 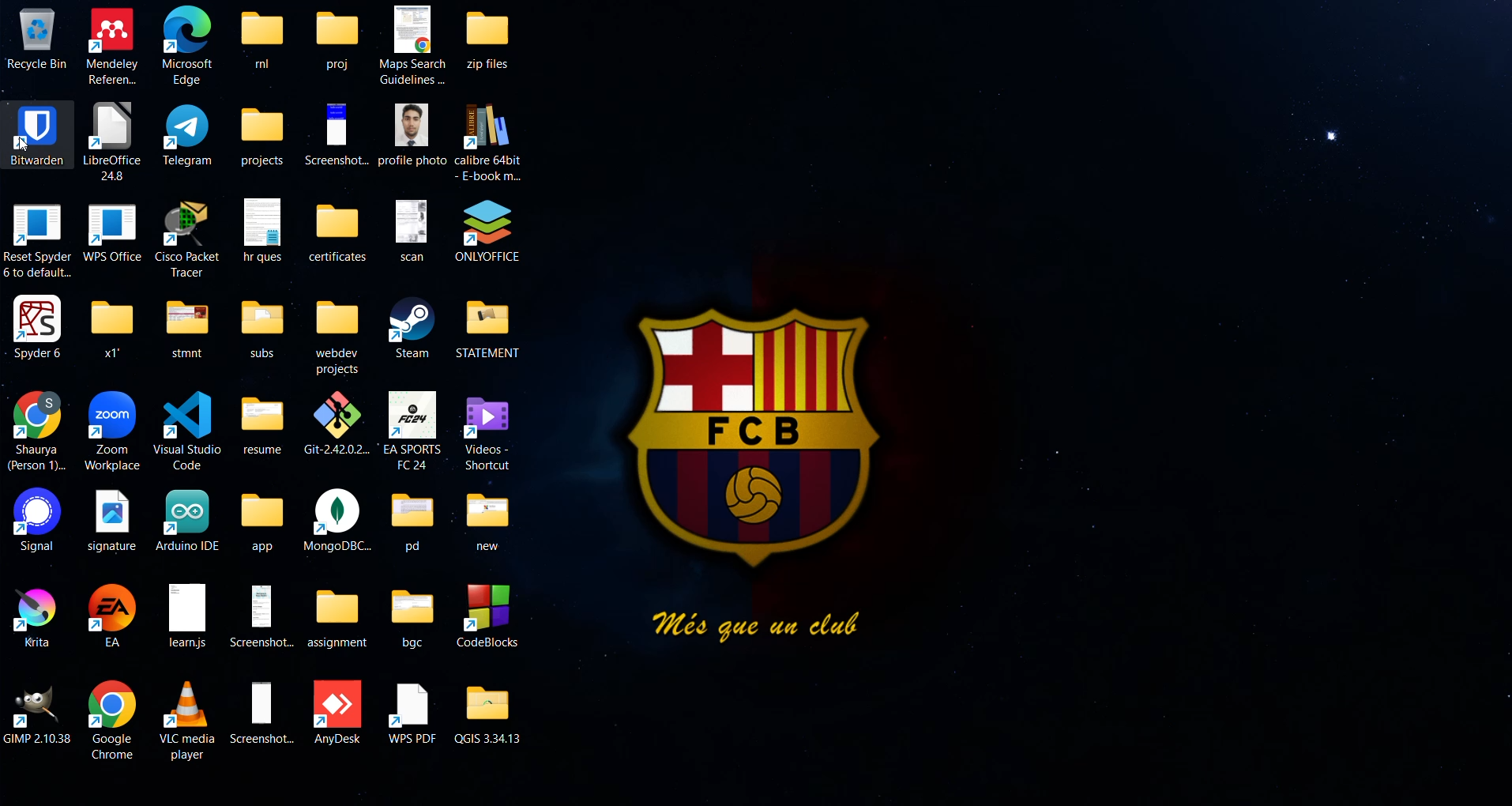 What do you see at coordinates (413, 430) in the screenshot?
I see `EA SPORTS FC24` at bounding box center [413, 430].